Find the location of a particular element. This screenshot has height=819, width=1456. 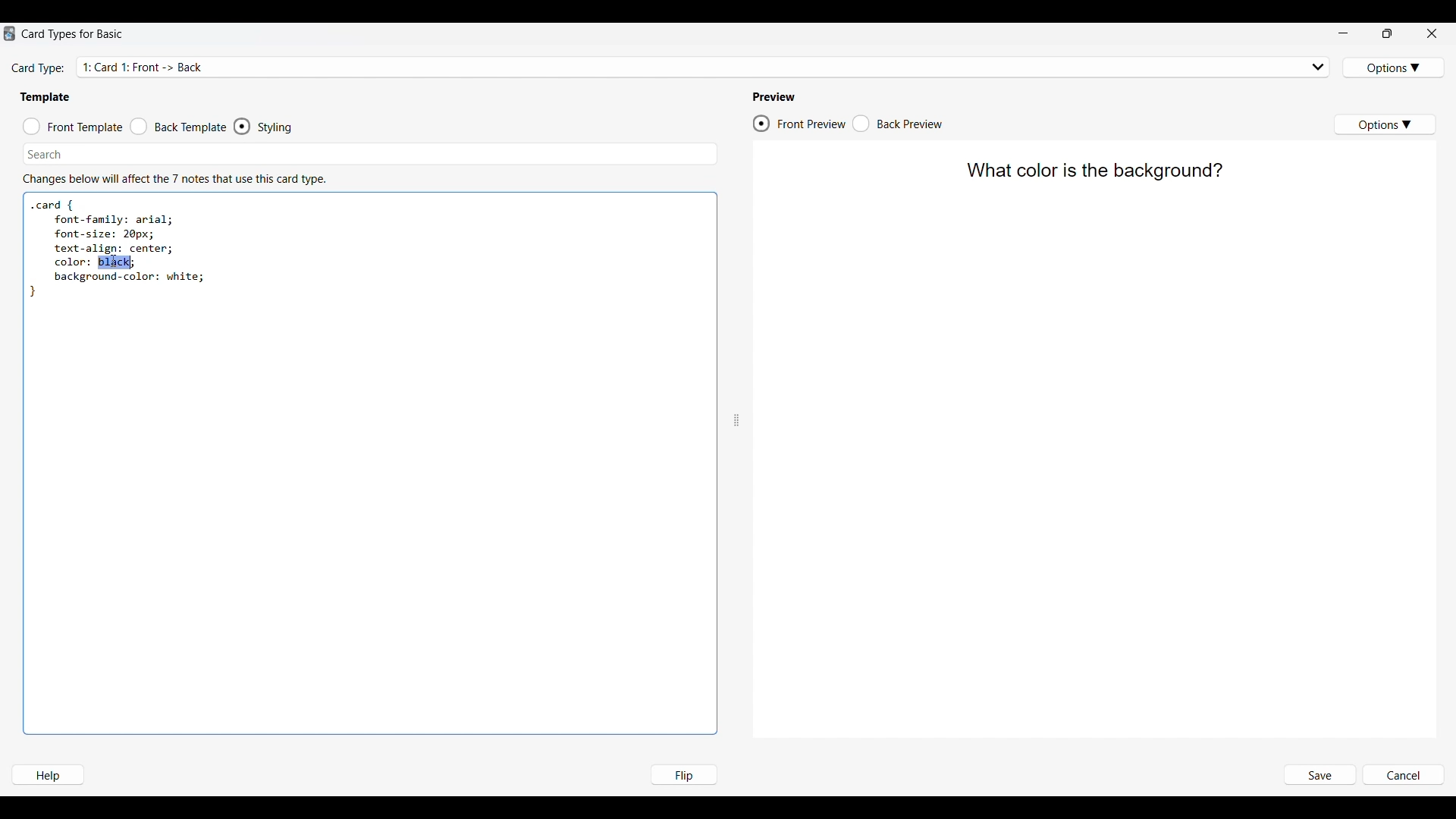

Displays card type selected is located at coordinates (705, 66).